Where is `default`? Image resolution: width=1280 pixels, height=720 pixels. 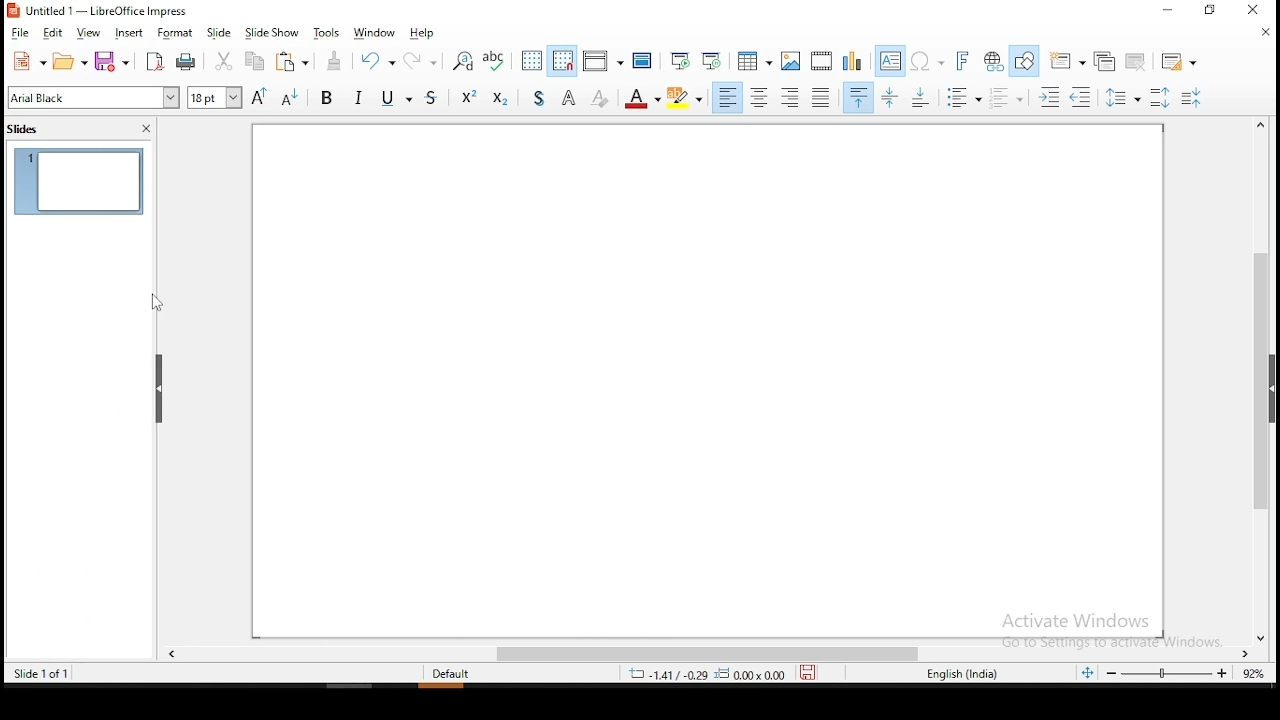
default is located at coordinates (456, 674).